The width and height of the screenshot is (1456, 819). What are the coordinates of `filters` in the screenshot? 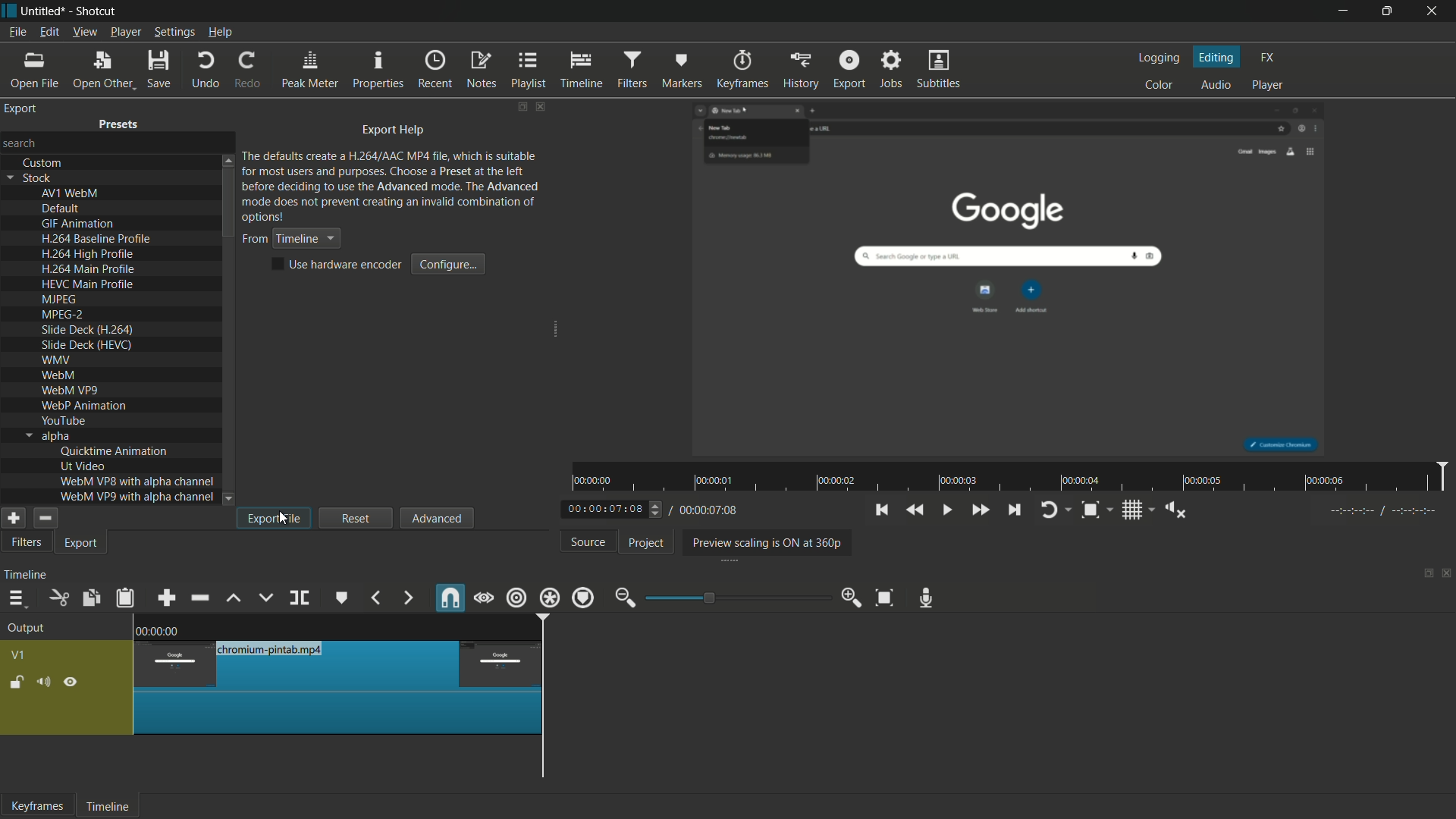 It's located at (630, 71).